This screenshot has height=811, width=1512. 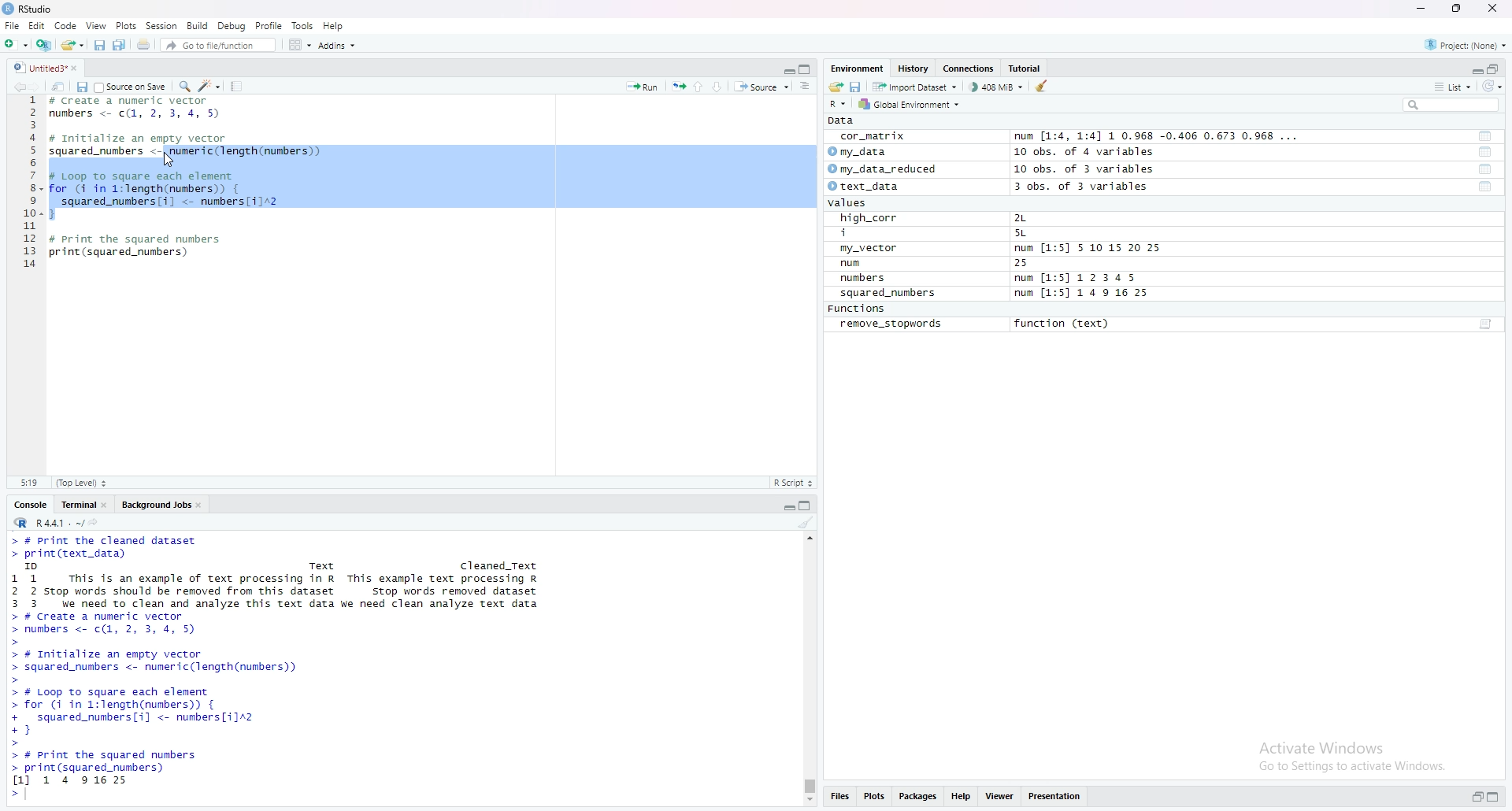 What do you see at coordinates (80, 67) in the screenshot?
I see `close` at bounding box center [80, 67].